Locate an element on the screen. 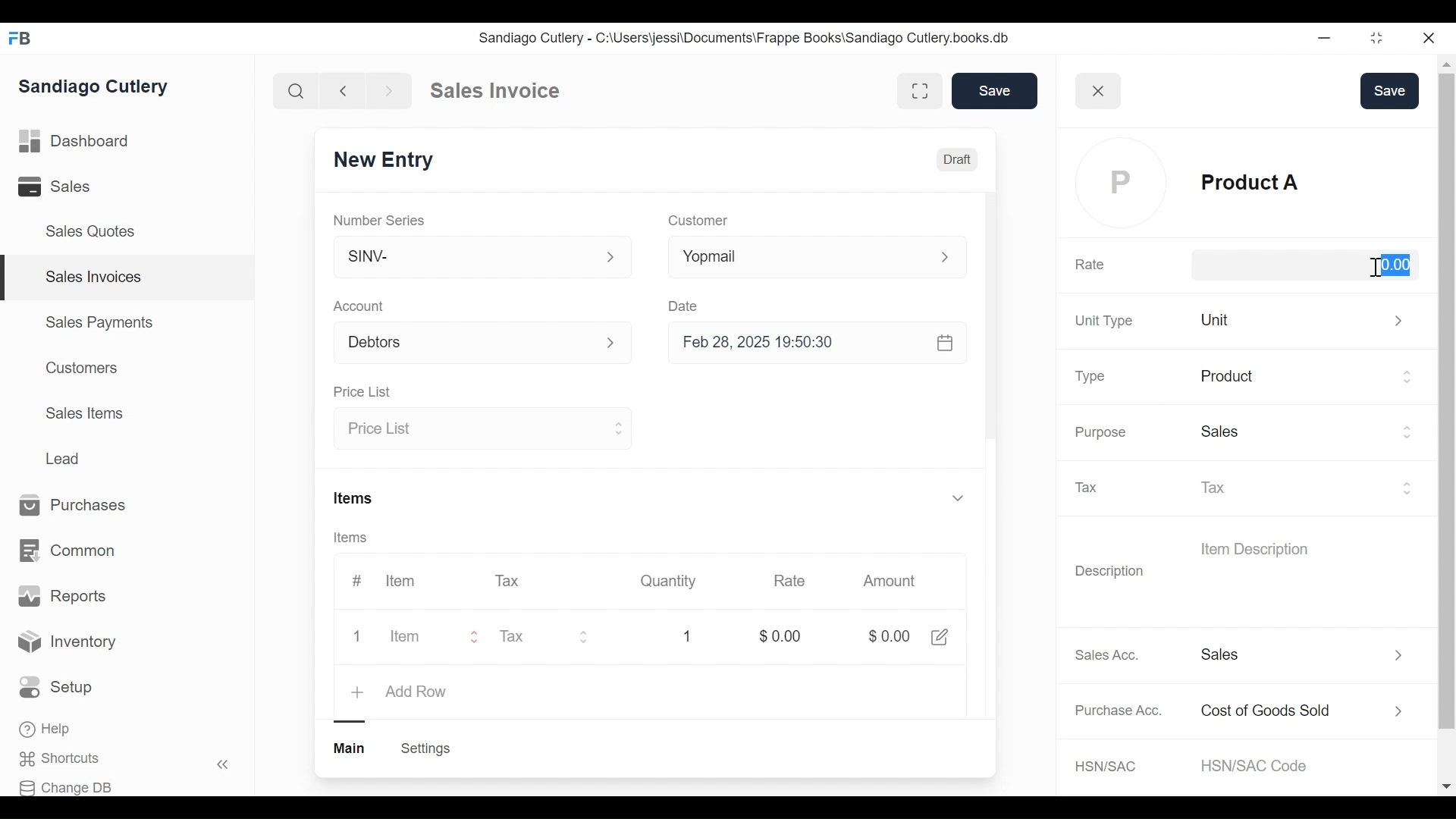 Image resolution: width=1456 pixels, height=819 pixels. New Entry is located at coordinates (382, 159).